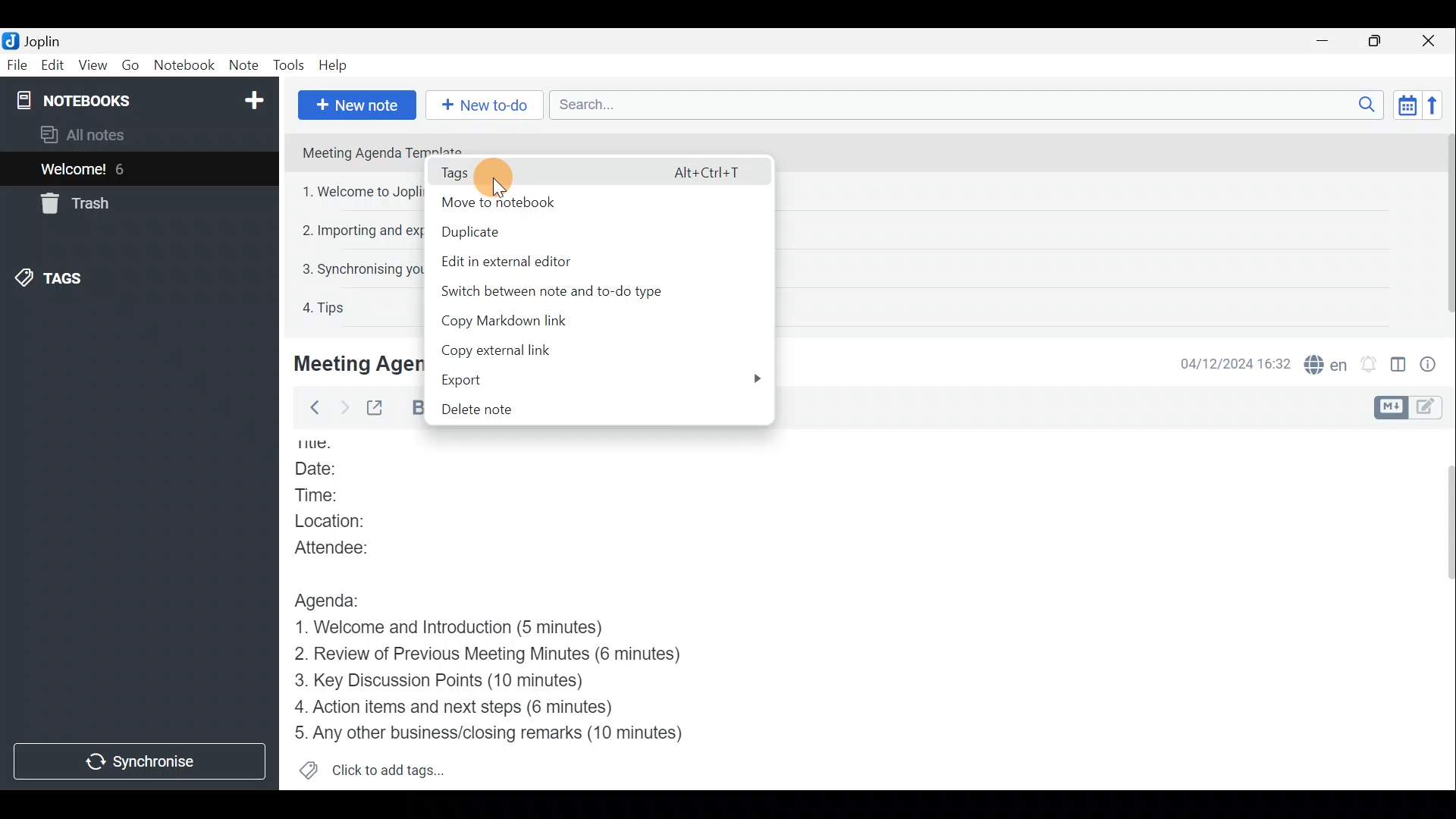  I want to click on Time:, so click(325, 495).